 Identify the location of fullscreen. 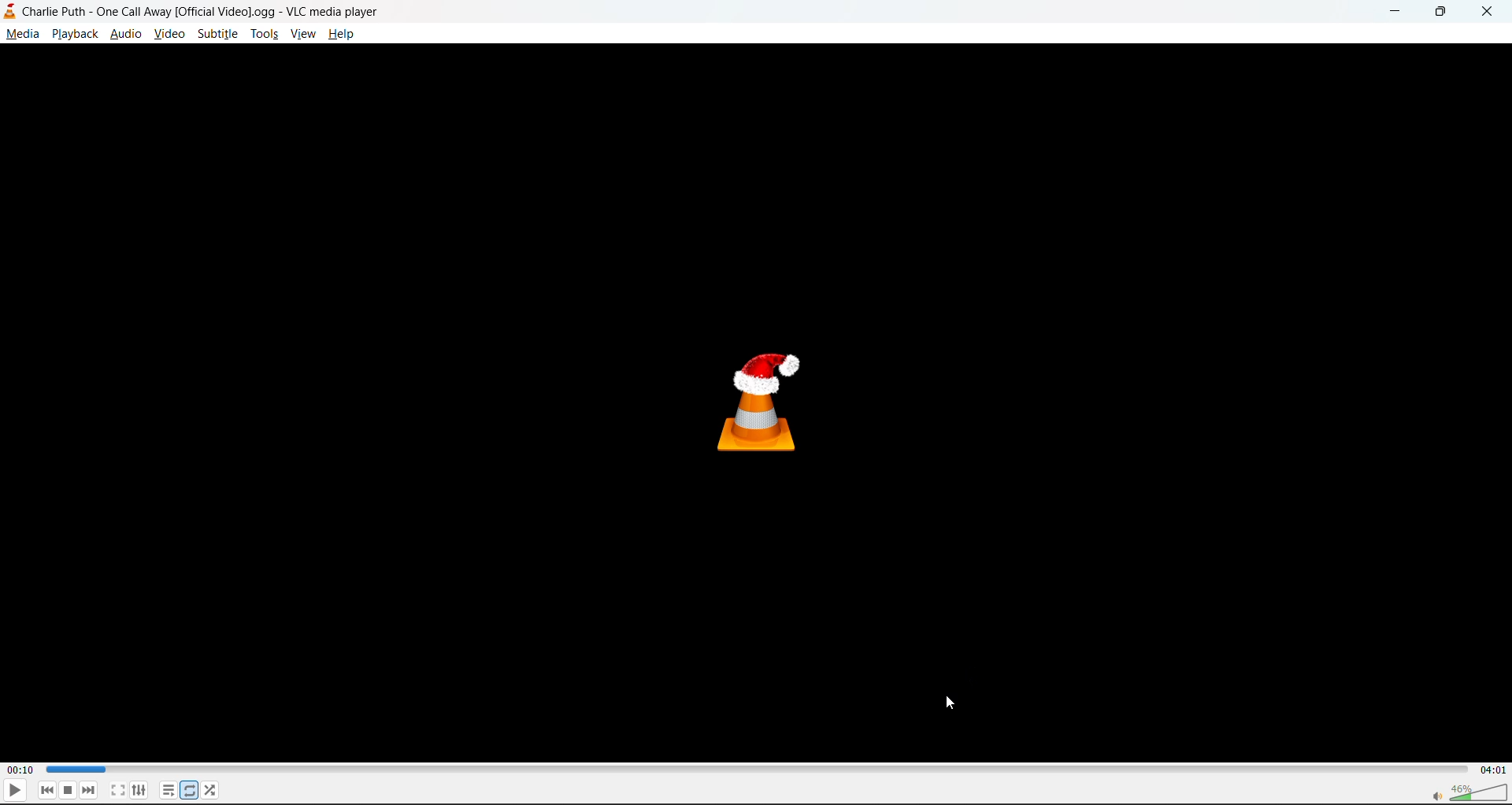
(116, 791).